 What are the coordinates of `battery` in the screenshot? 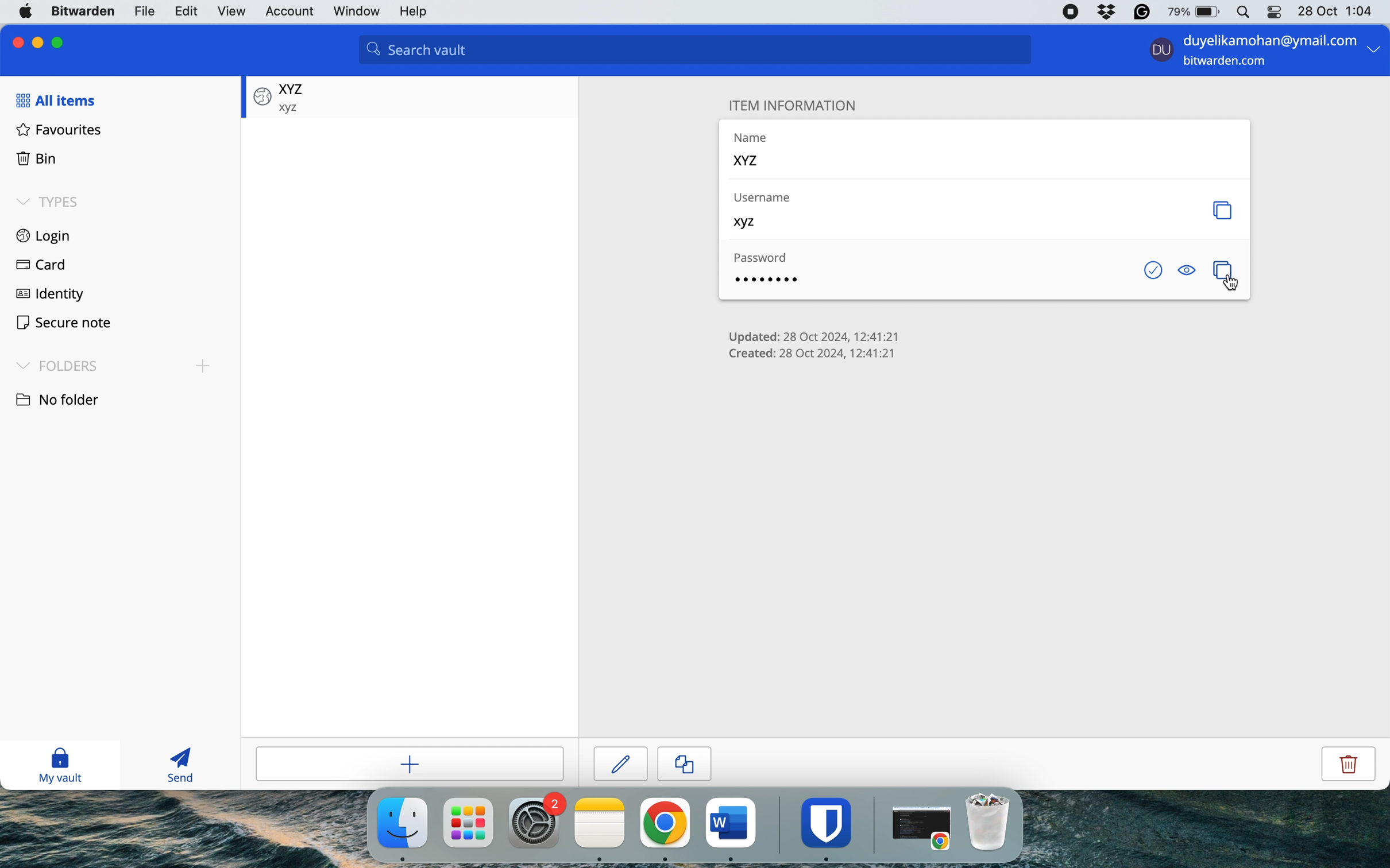 It's located at (1190, 12).